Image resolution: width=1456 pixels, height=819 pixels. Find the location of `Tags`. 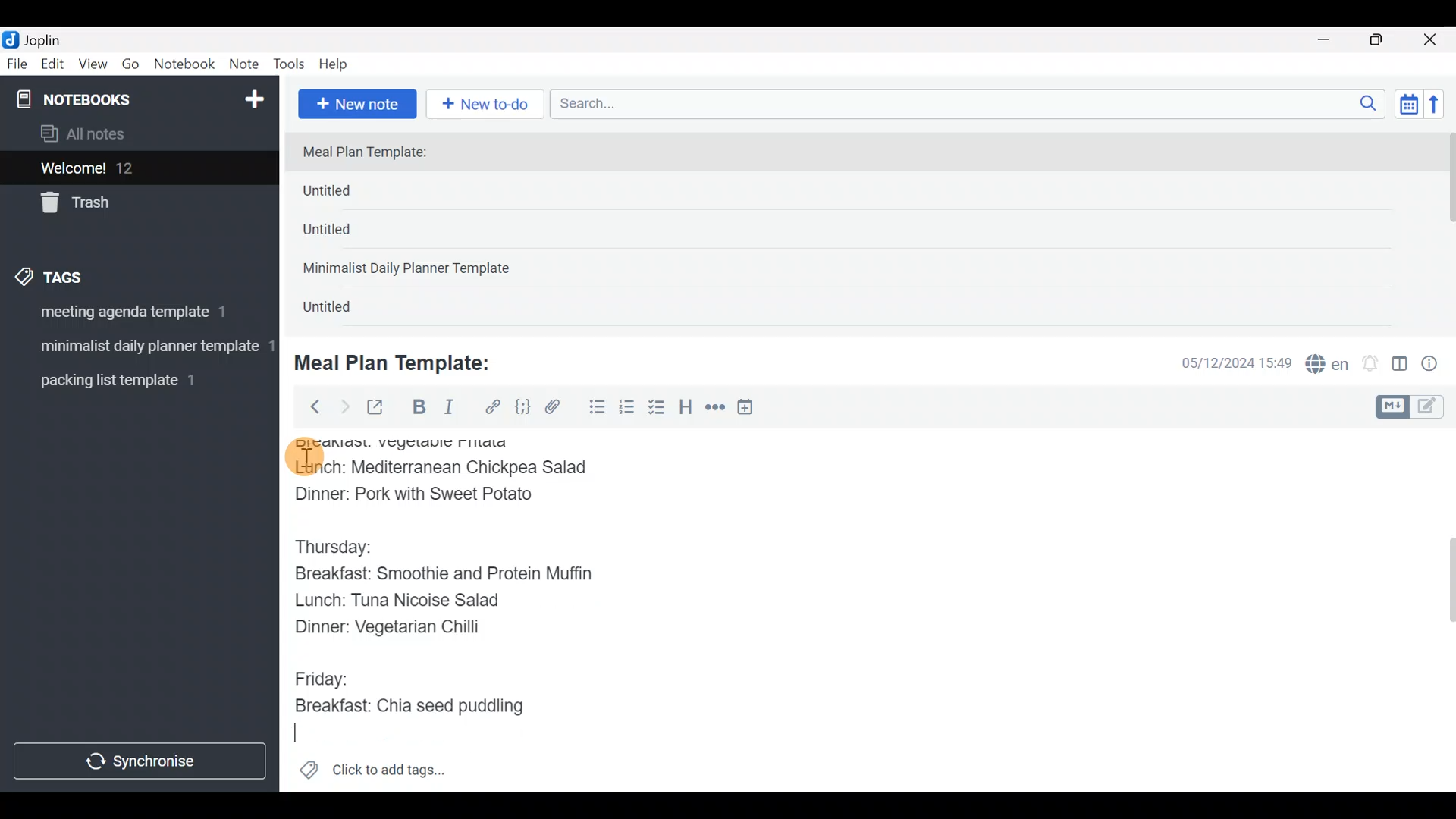

Tags is located at coordinates (85, 275).